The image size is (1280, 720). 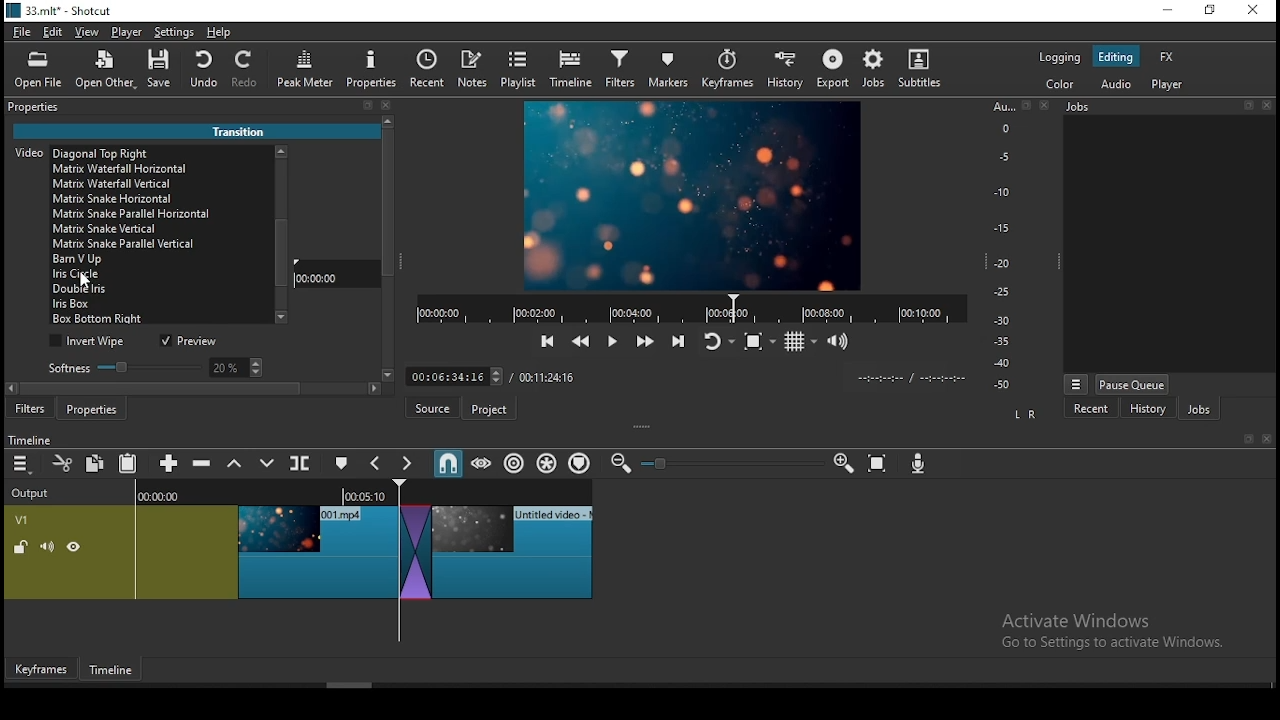 I want to click on overwrite, so click(x=267, y=464).